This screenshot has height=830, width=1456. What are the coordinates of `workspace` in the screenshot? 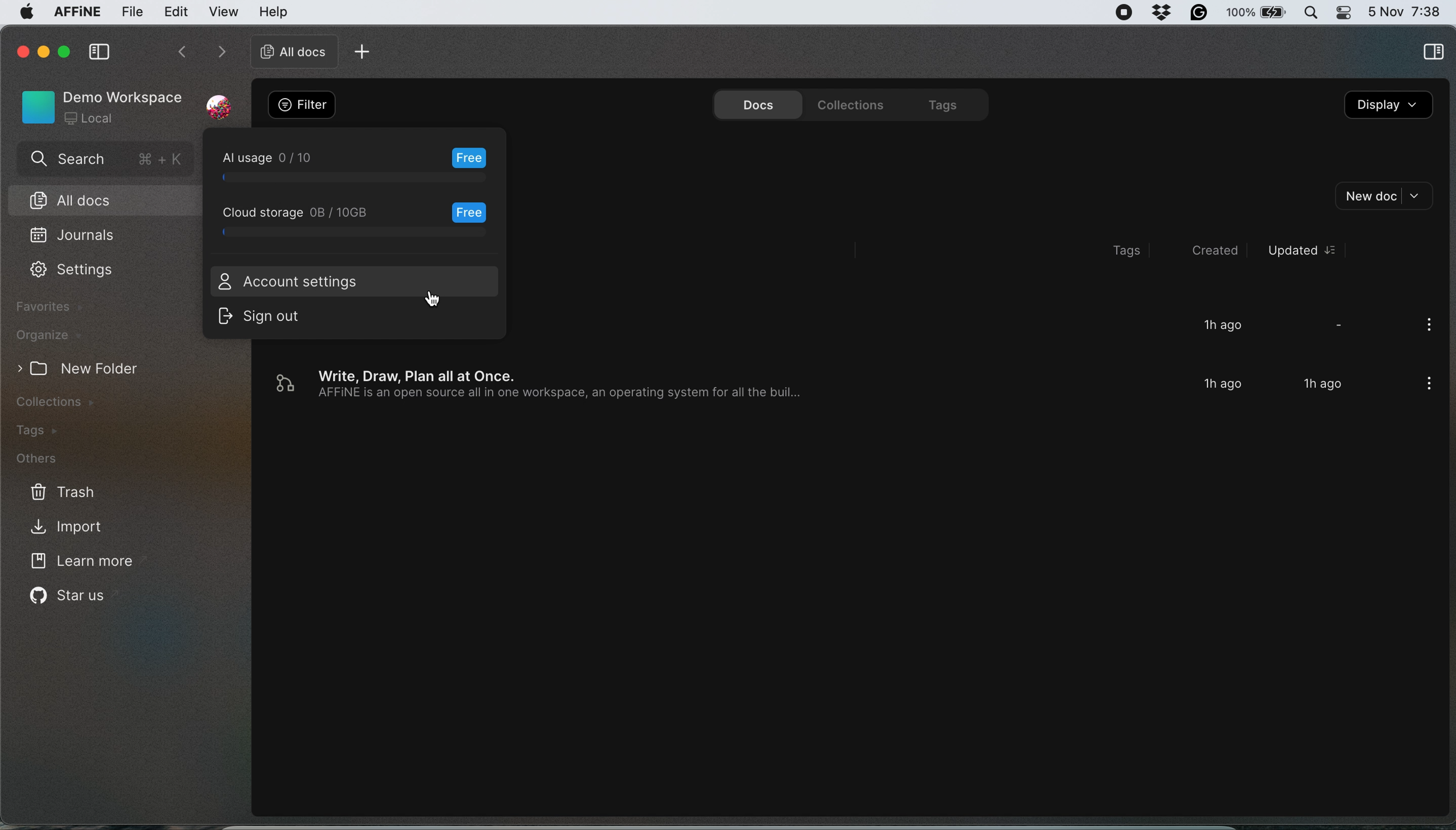 It's located at (100, 105).